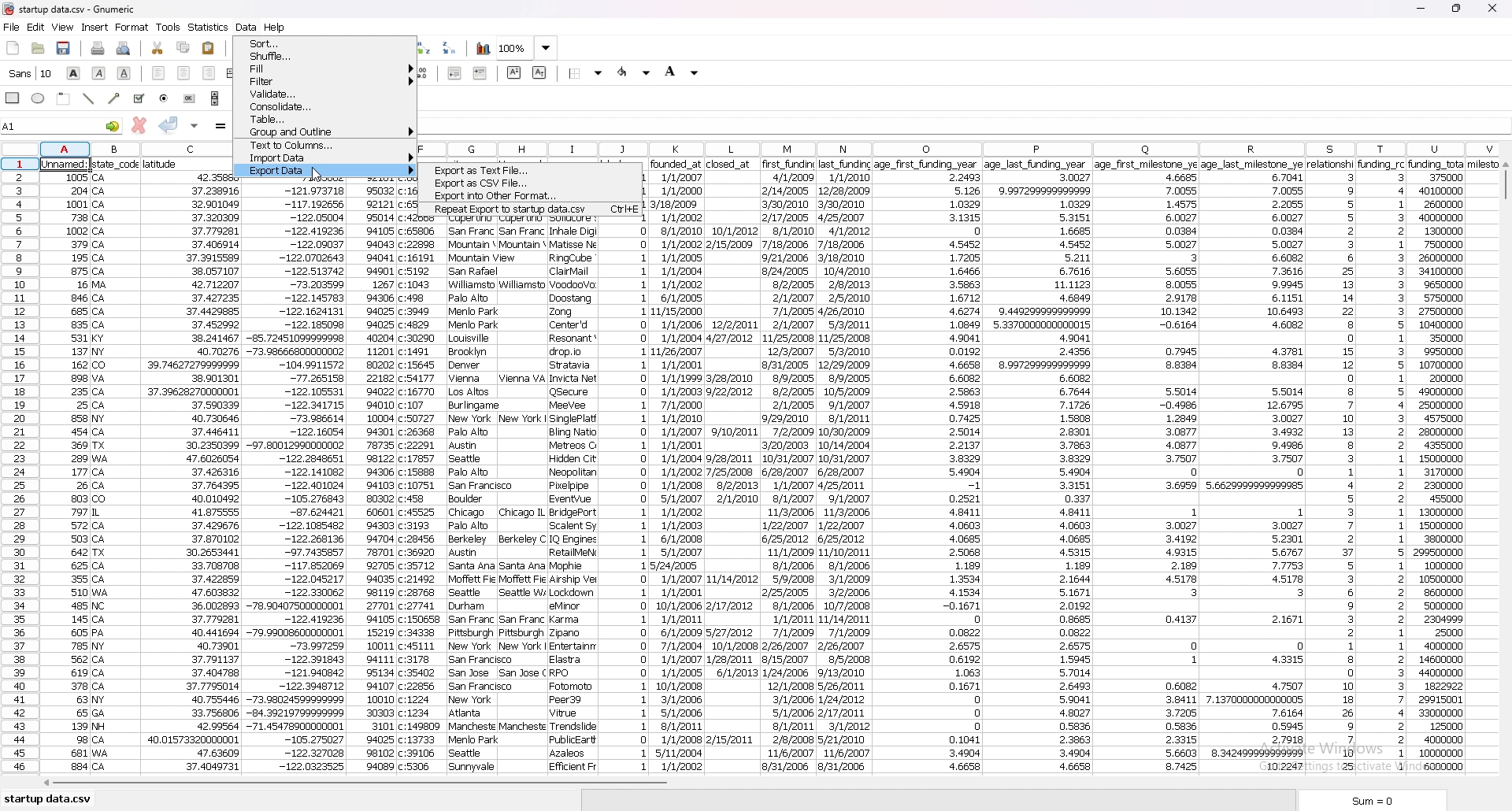  Describe the element at coordinates (209, 47) in the screenshot. I see `paste` at that location.